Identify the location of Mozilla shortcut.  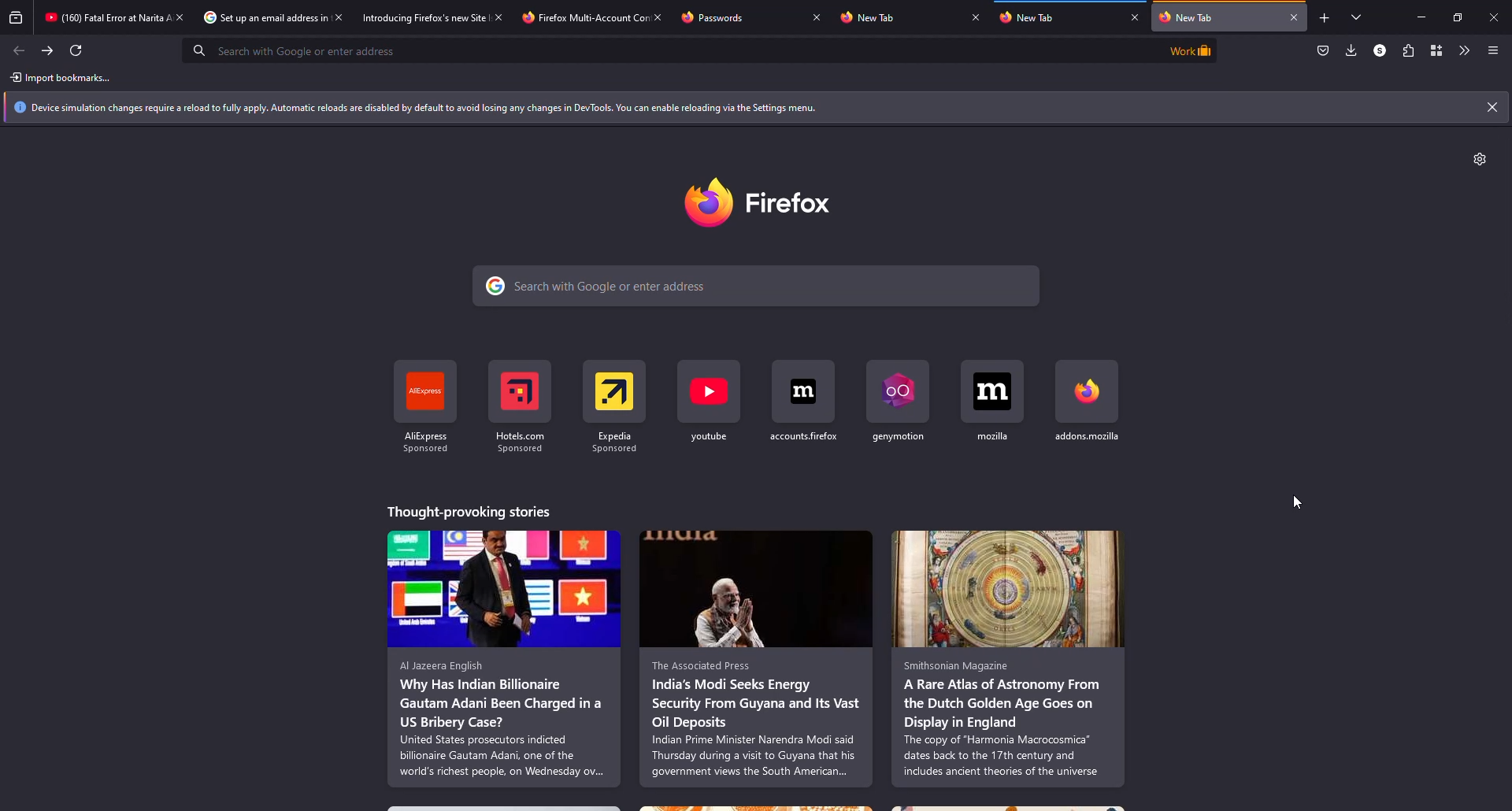
(993, 402).